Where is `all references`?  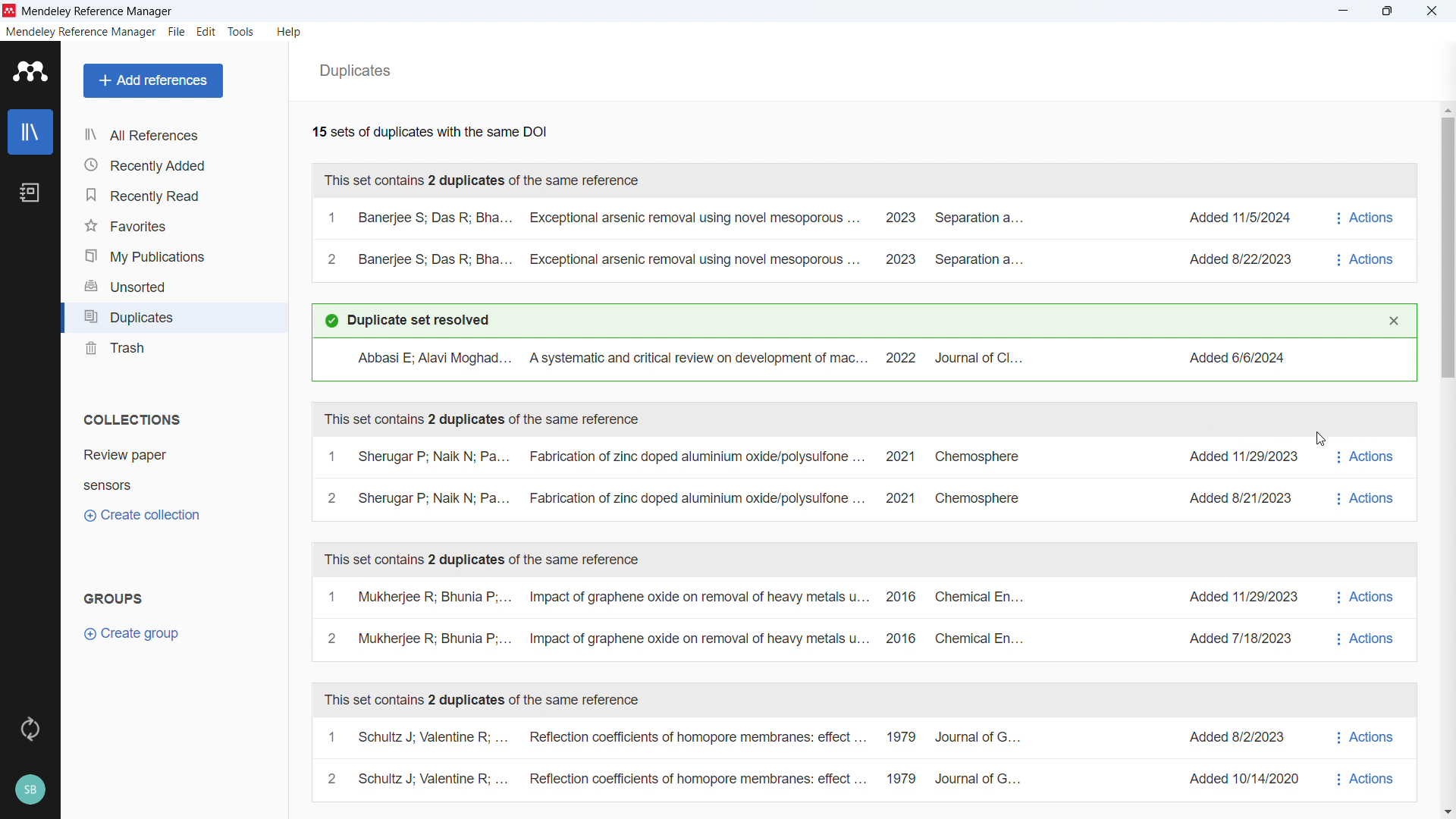
all references is located at coordinates (172, 135).